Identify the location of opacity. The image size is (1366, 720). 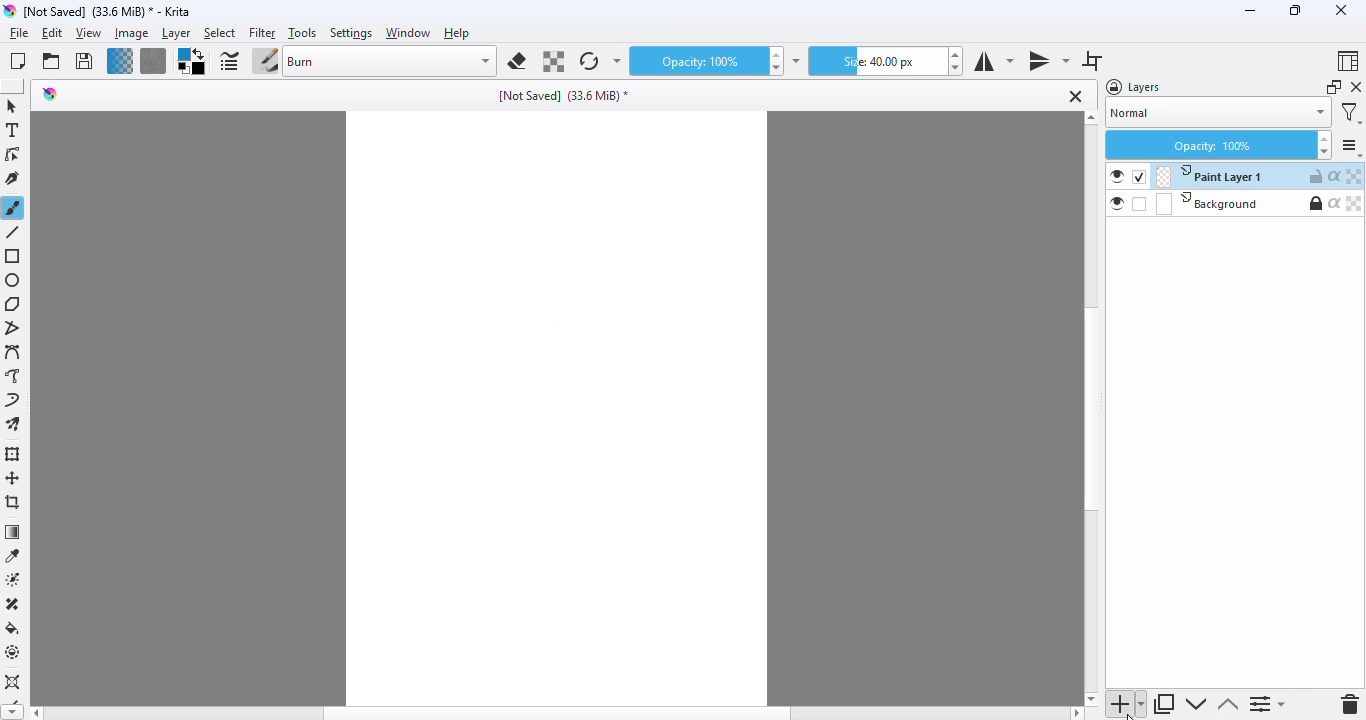
(695, 62).